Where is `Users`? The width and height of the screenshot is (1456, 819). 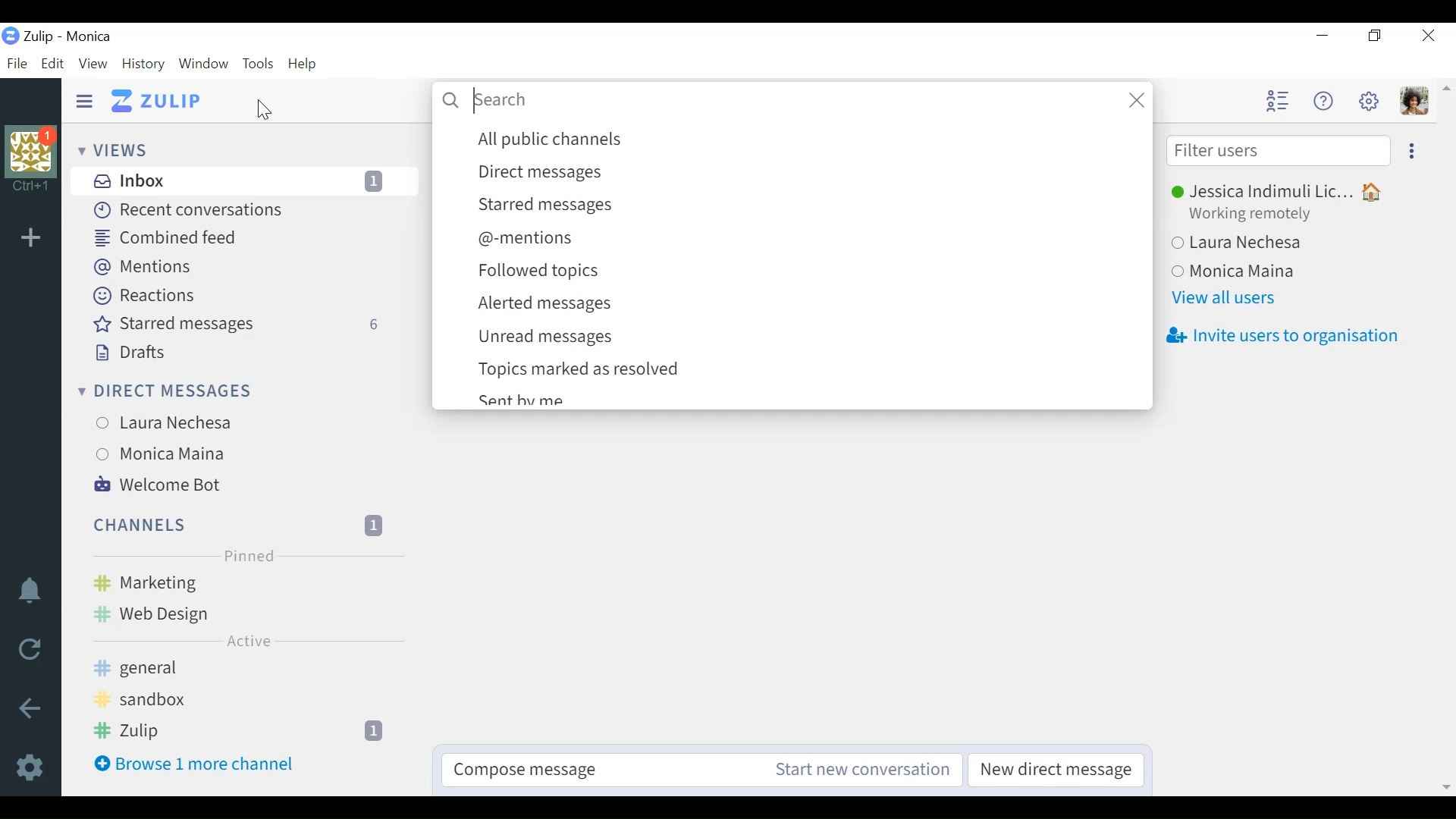 Users is located at coordinates (1252, 269).